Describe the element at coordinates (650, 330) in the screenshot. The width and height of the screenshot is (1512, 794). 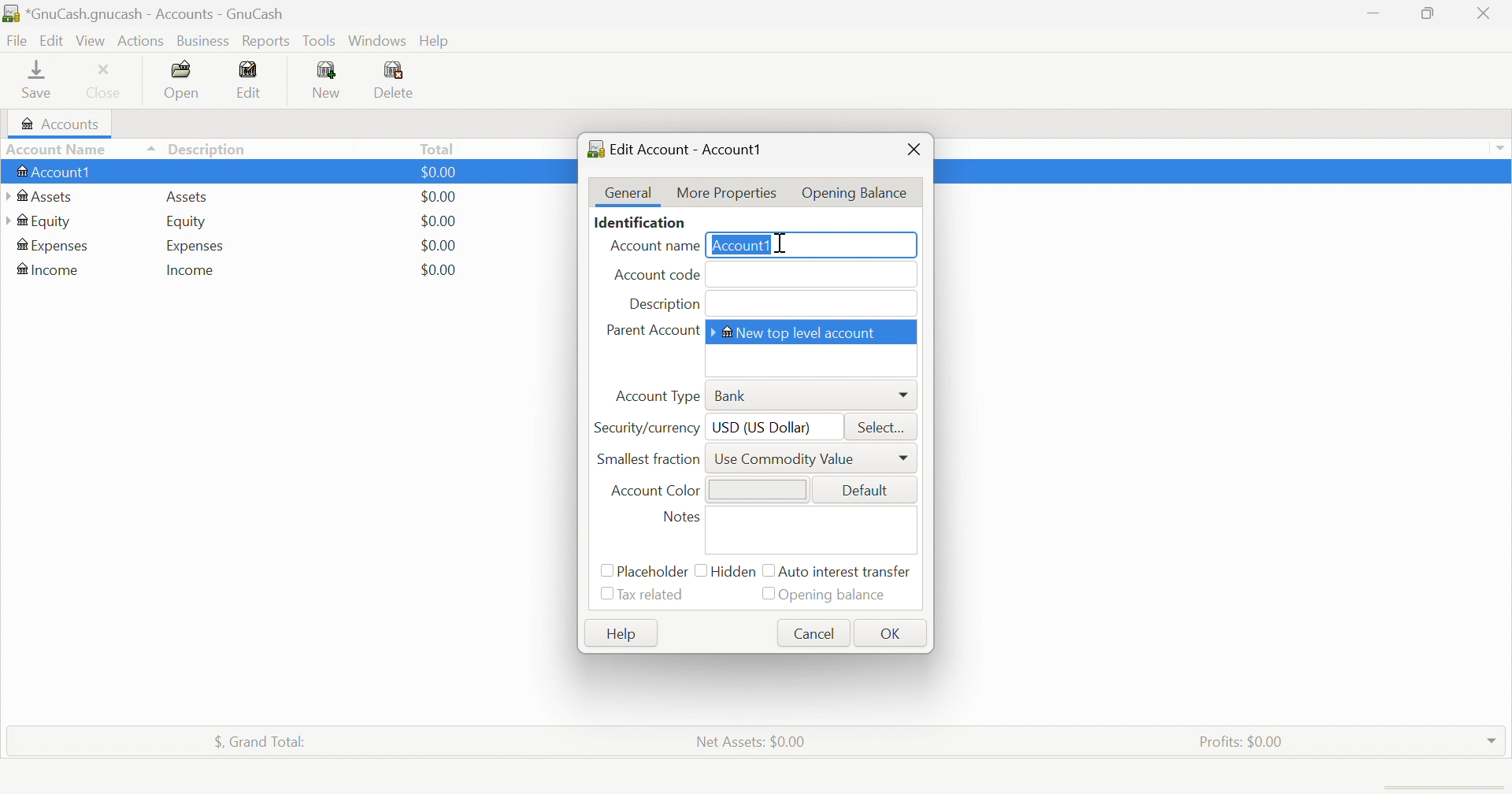
I see `Parent Account` at that location.